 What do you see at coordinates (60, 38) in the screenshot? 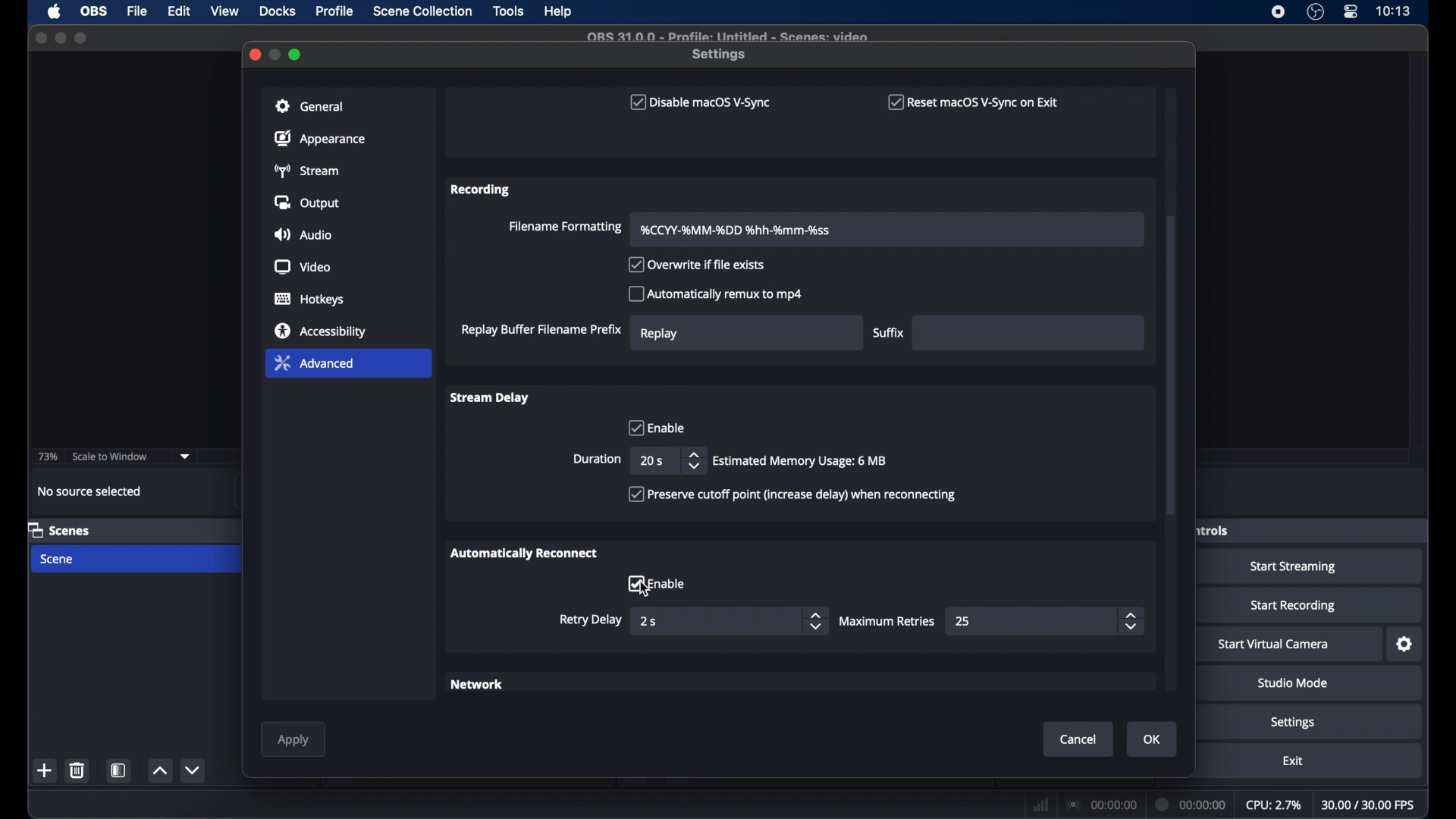
I see `minimize` at bounding box center [60, 38].